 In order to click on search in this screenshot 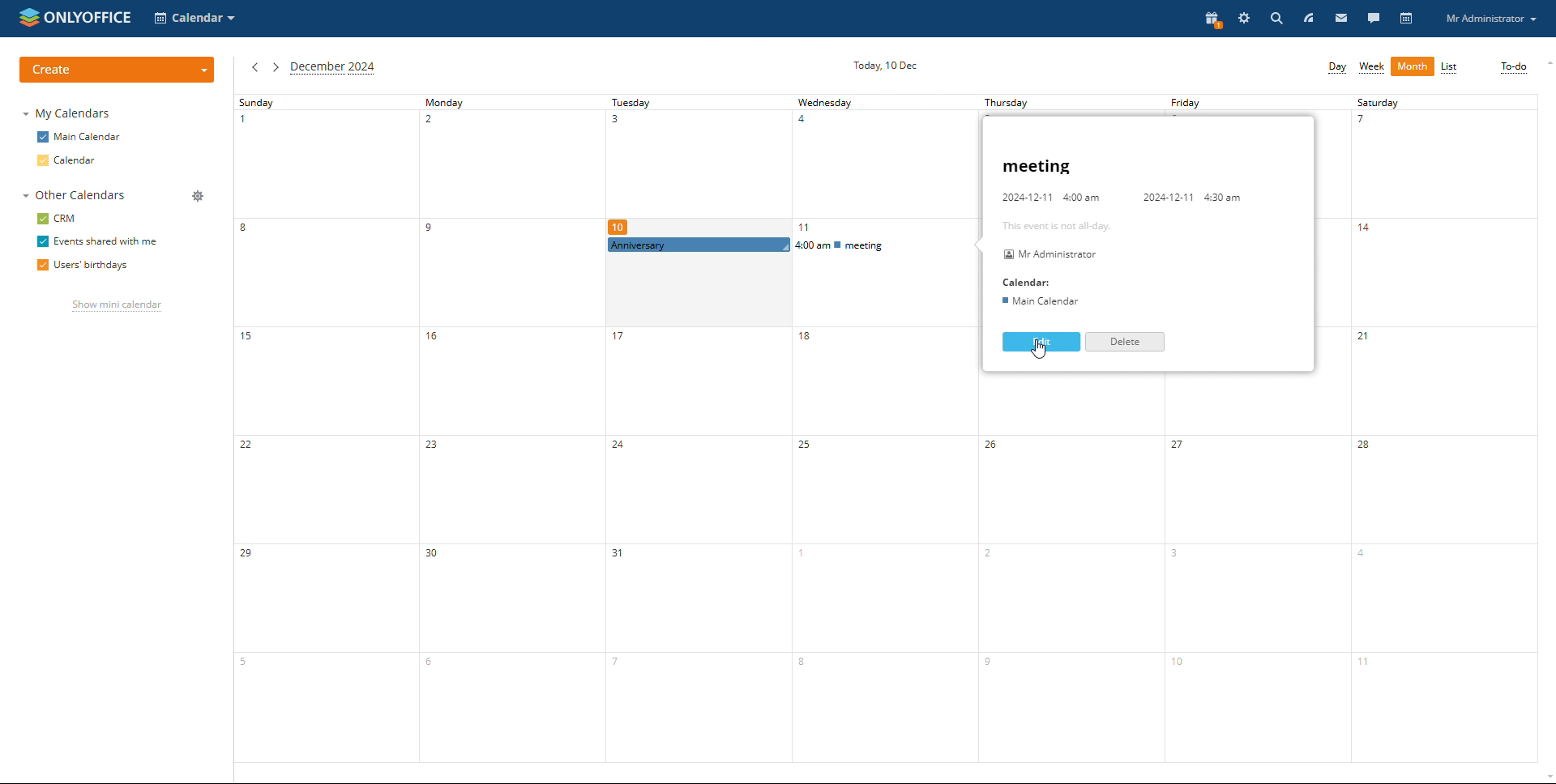, I will do `click(1276, 19)`.